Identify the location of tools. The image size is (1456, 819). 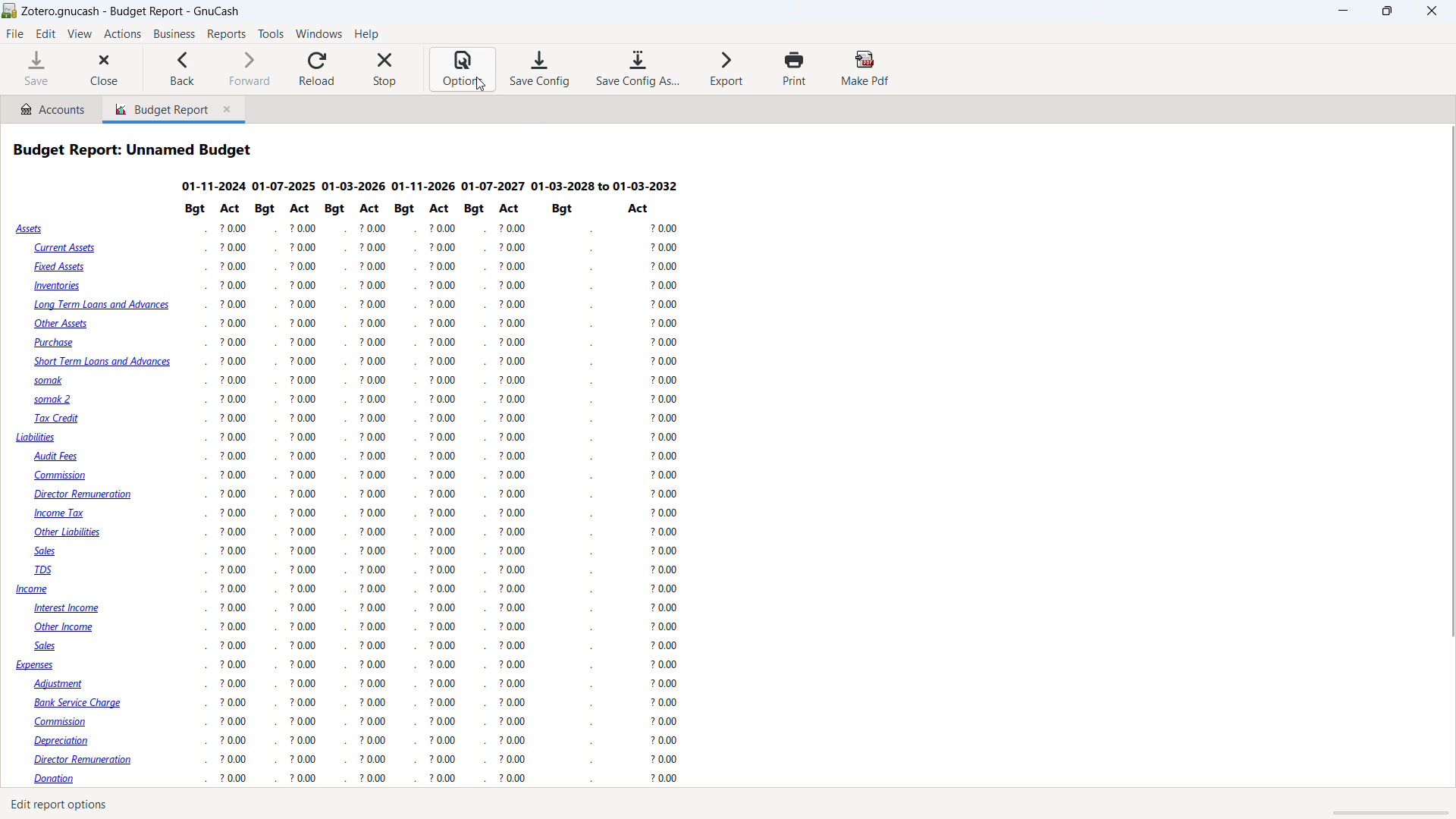
(271, 34).